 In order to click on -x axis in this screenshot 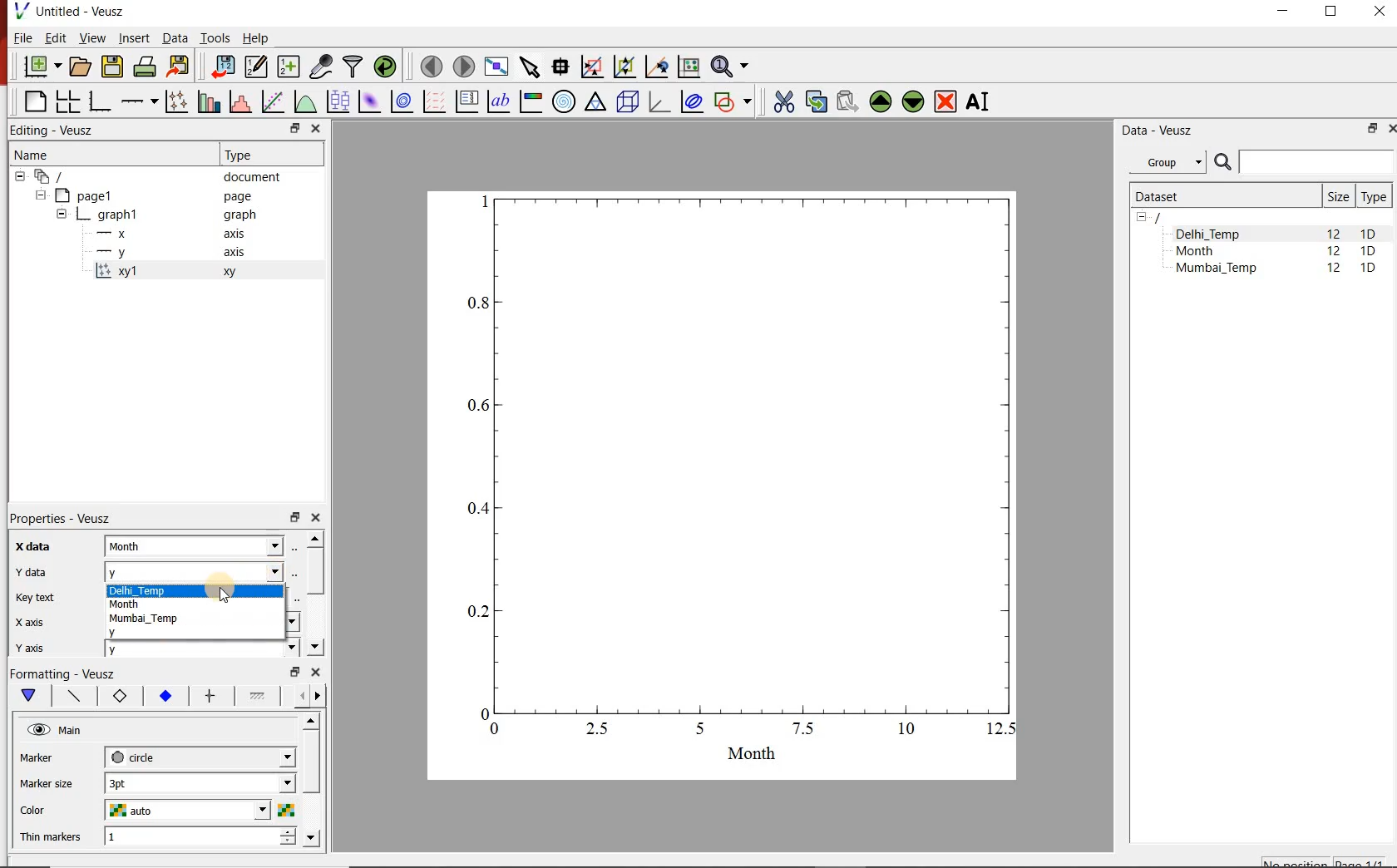, I will do `click(164, 234)`.